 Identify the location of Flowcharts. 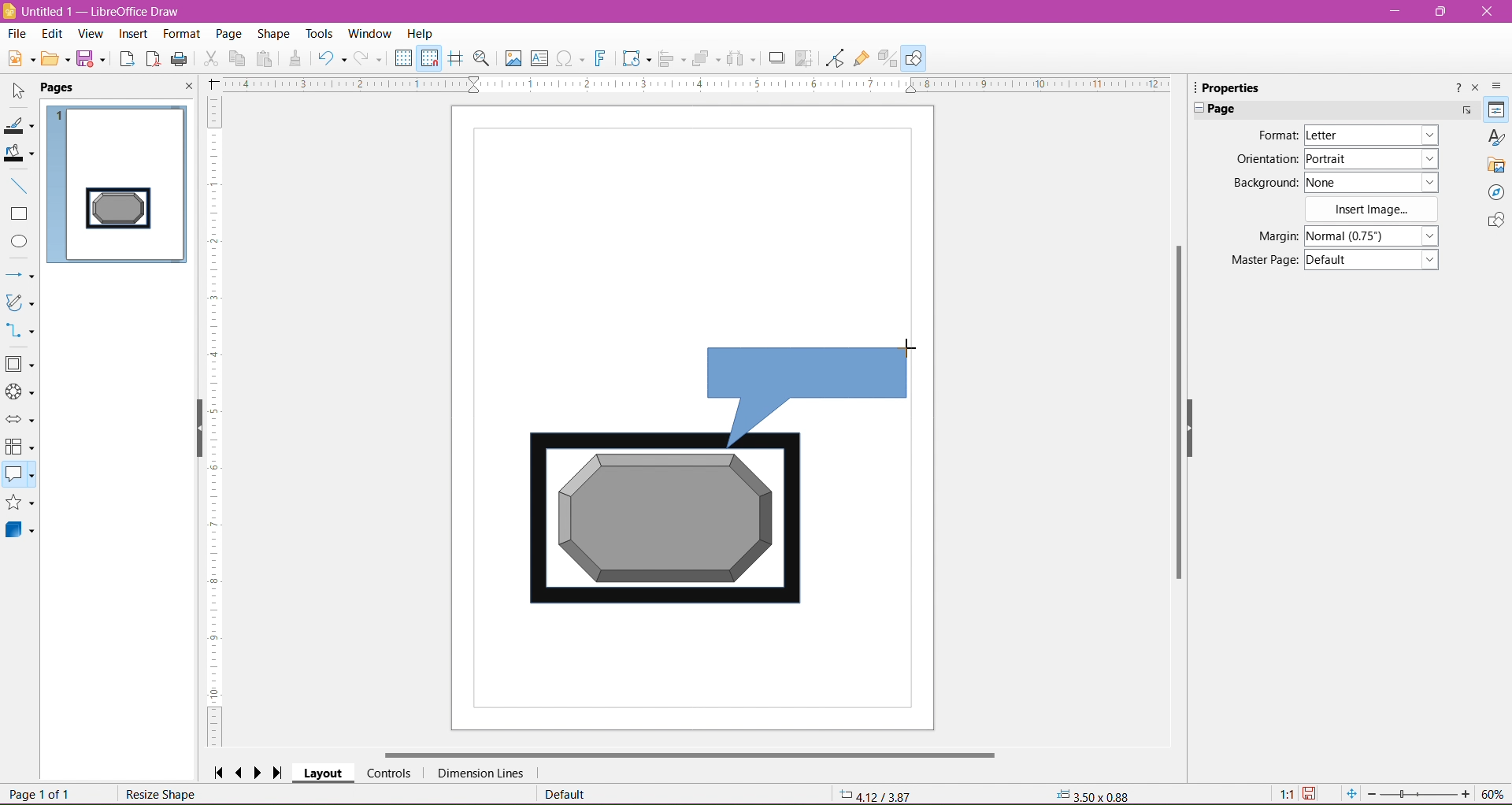
(20, 448).